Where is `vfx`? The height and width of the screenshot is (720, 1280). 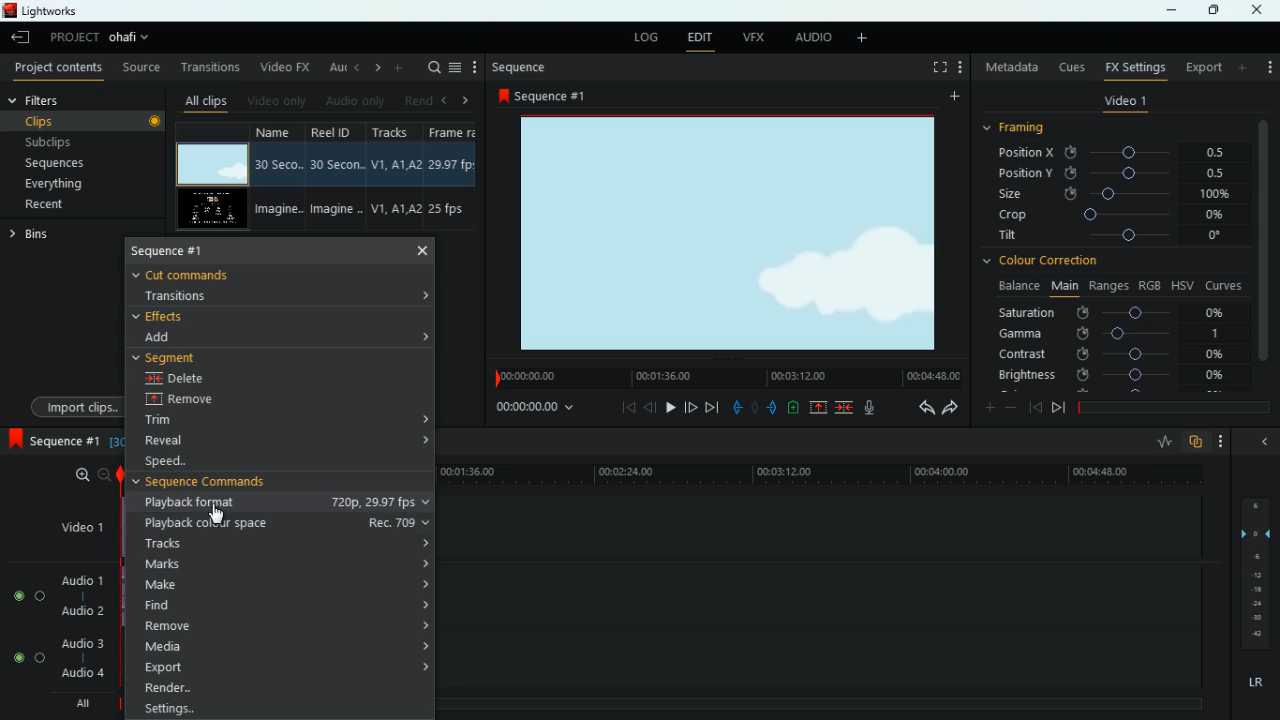
vfx is located at coordinates (750, 38).